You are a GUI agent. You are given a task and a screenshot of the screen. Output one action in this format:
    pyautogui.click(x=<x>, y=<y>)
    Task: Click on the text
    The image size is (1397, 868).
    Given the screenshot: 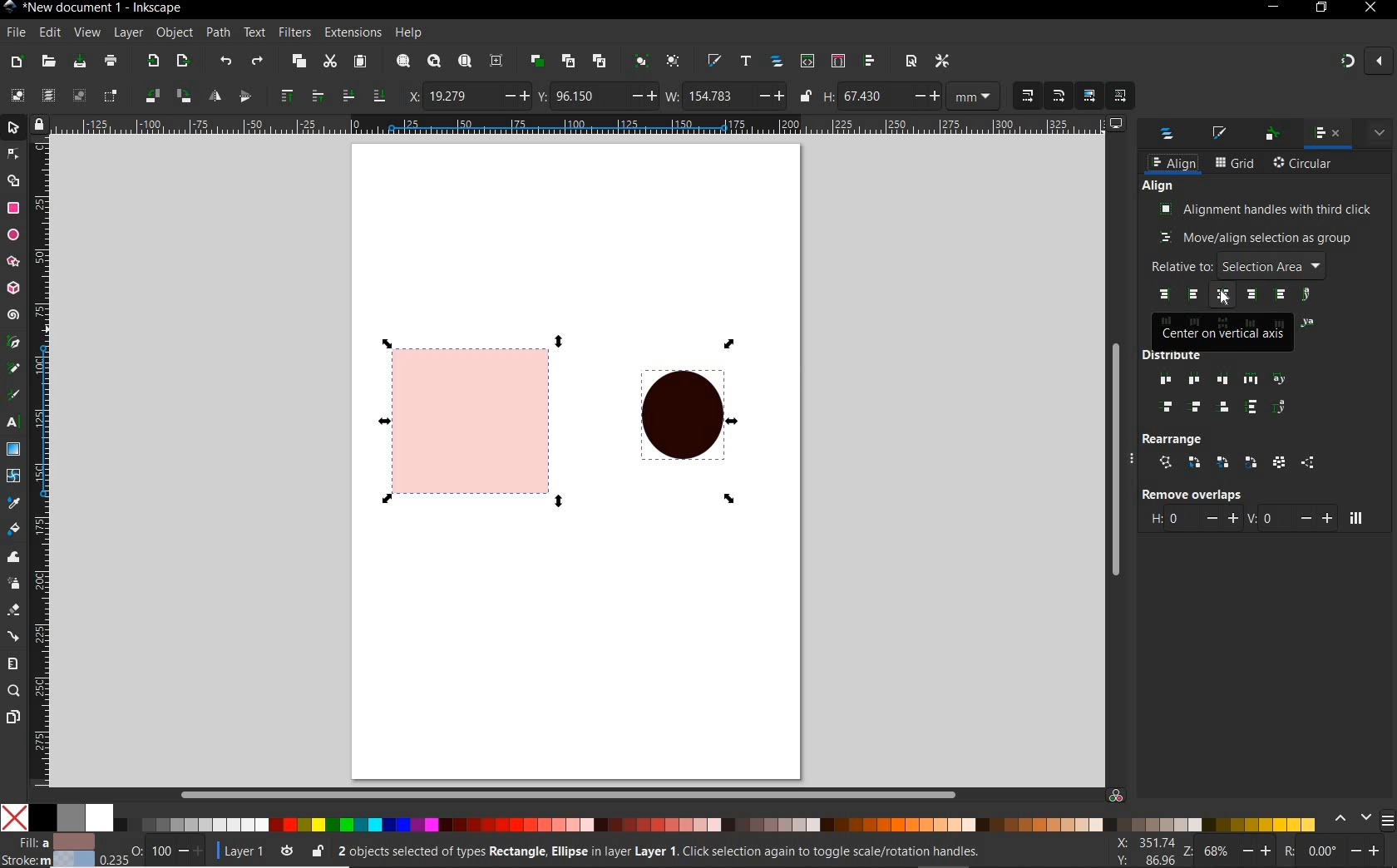 What is the action you would take?
    pyautogui.click(x=255, y=32)
    